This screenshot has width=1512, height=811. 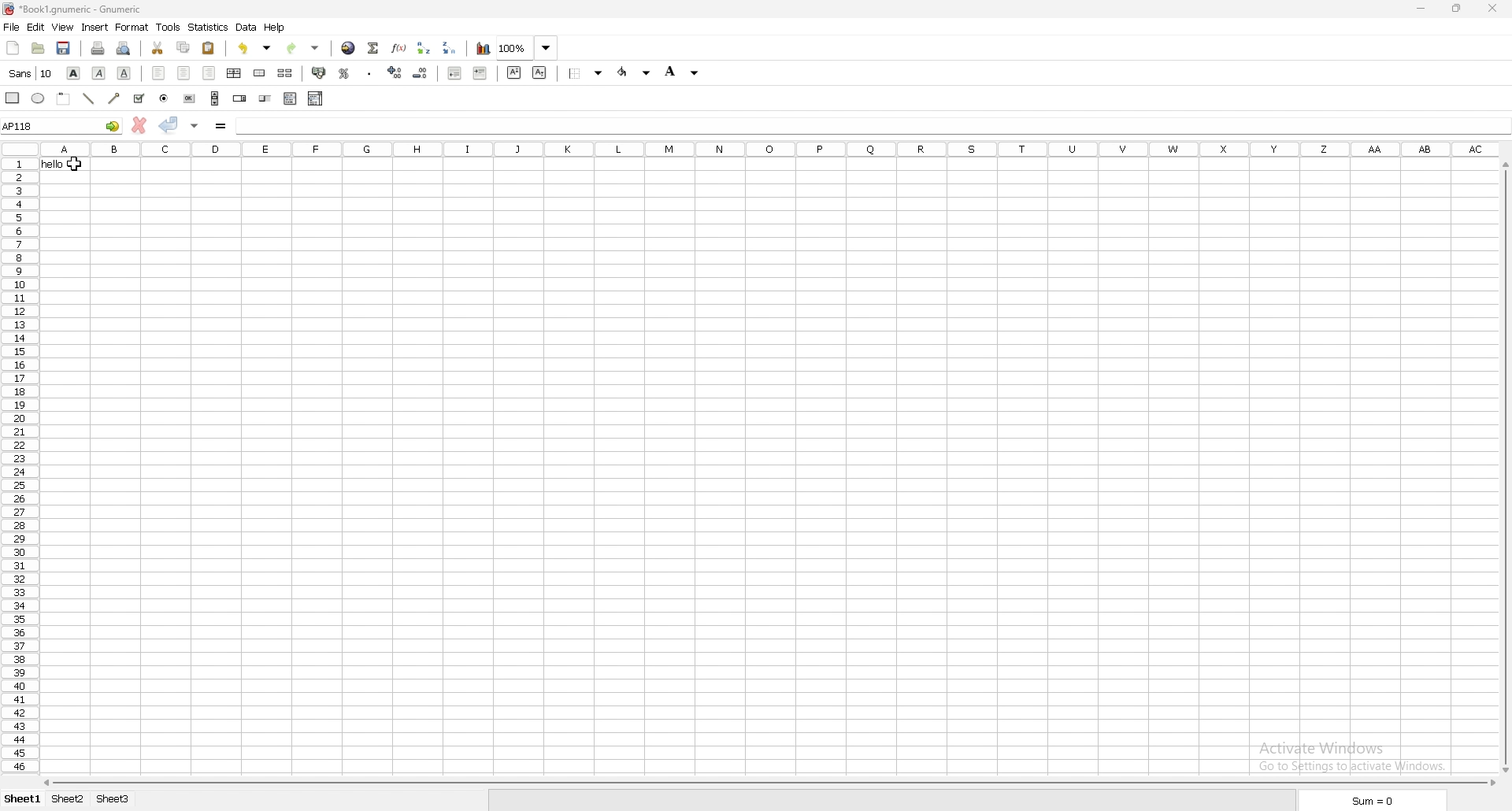 I want to click on scroll bar, so click(x=216, y=98).